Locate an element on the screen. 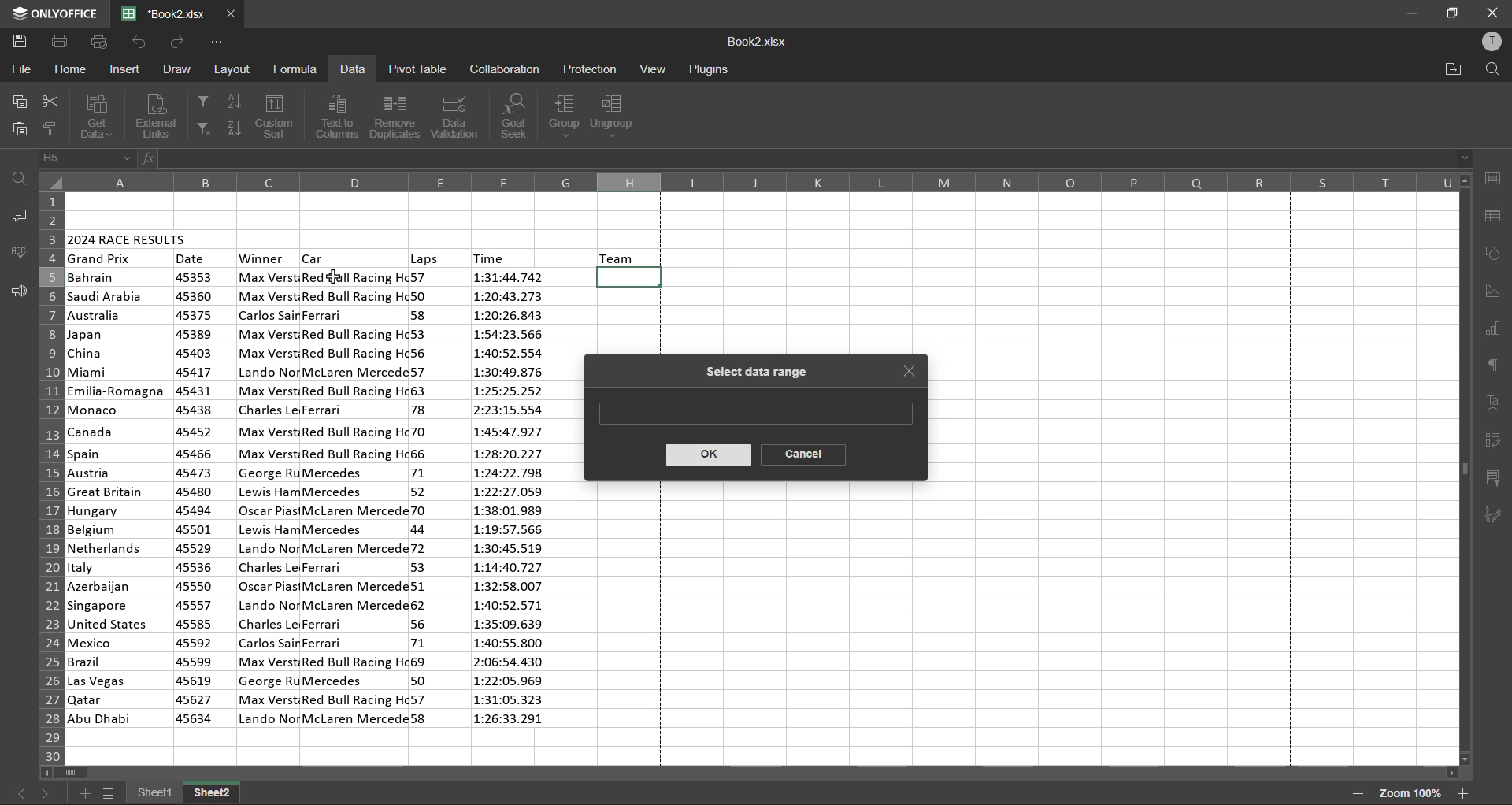 This screenshot has width=1512, height=805. close is located at coordinates (1491, 12).